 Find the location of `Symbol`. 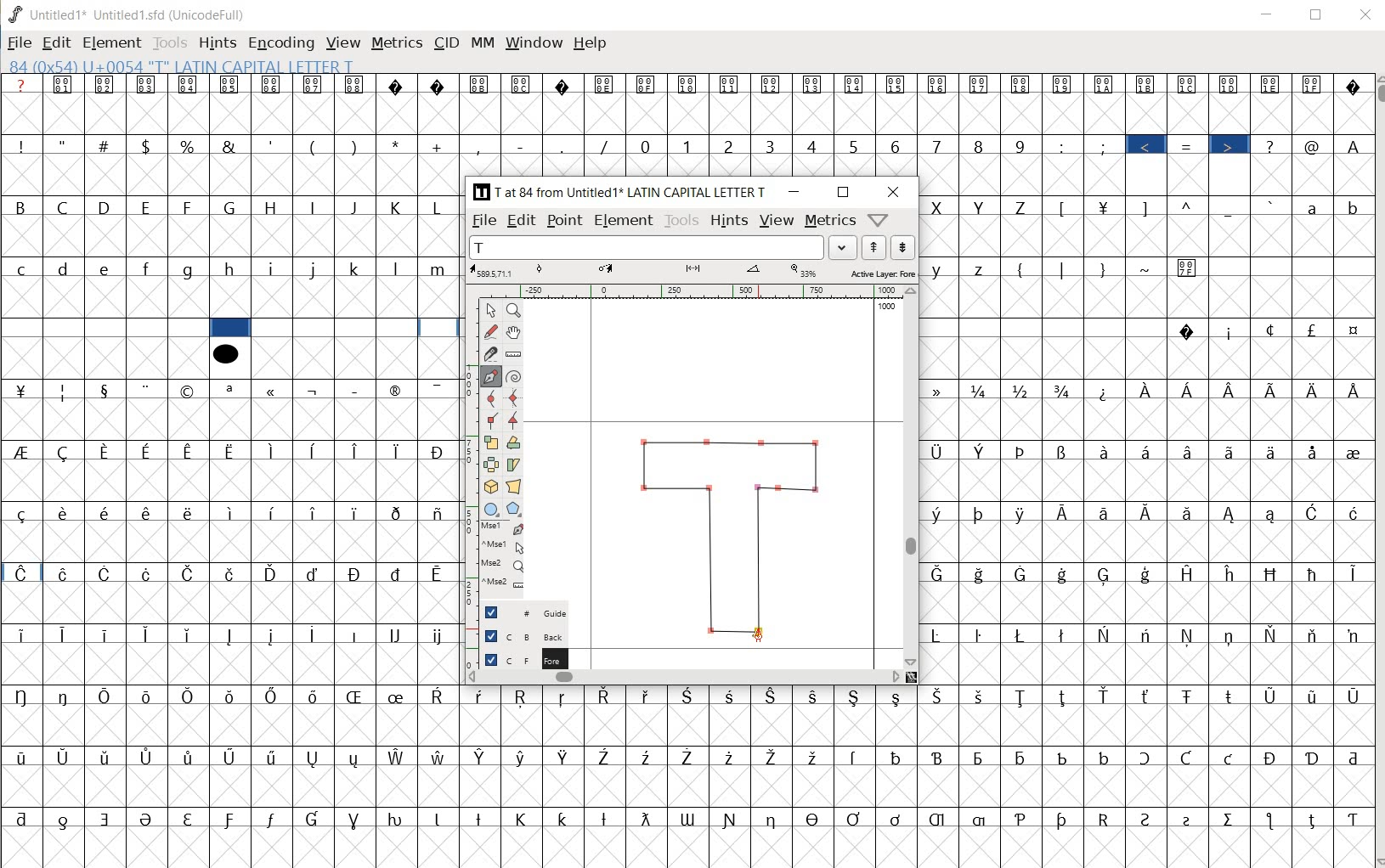

Symbol is located at coordinates (188, 635).